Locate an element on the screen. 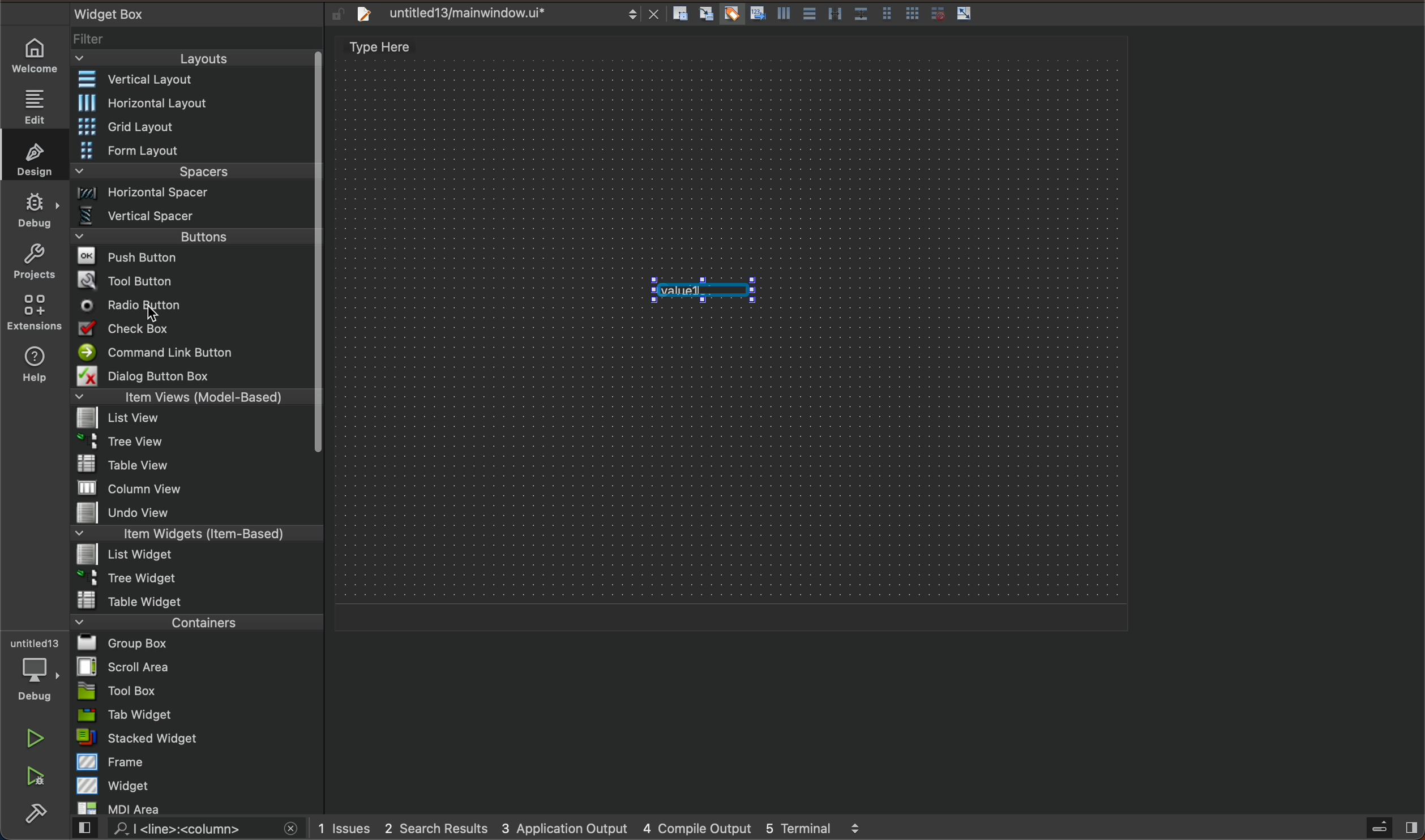   is located at coordinates (194, 240).